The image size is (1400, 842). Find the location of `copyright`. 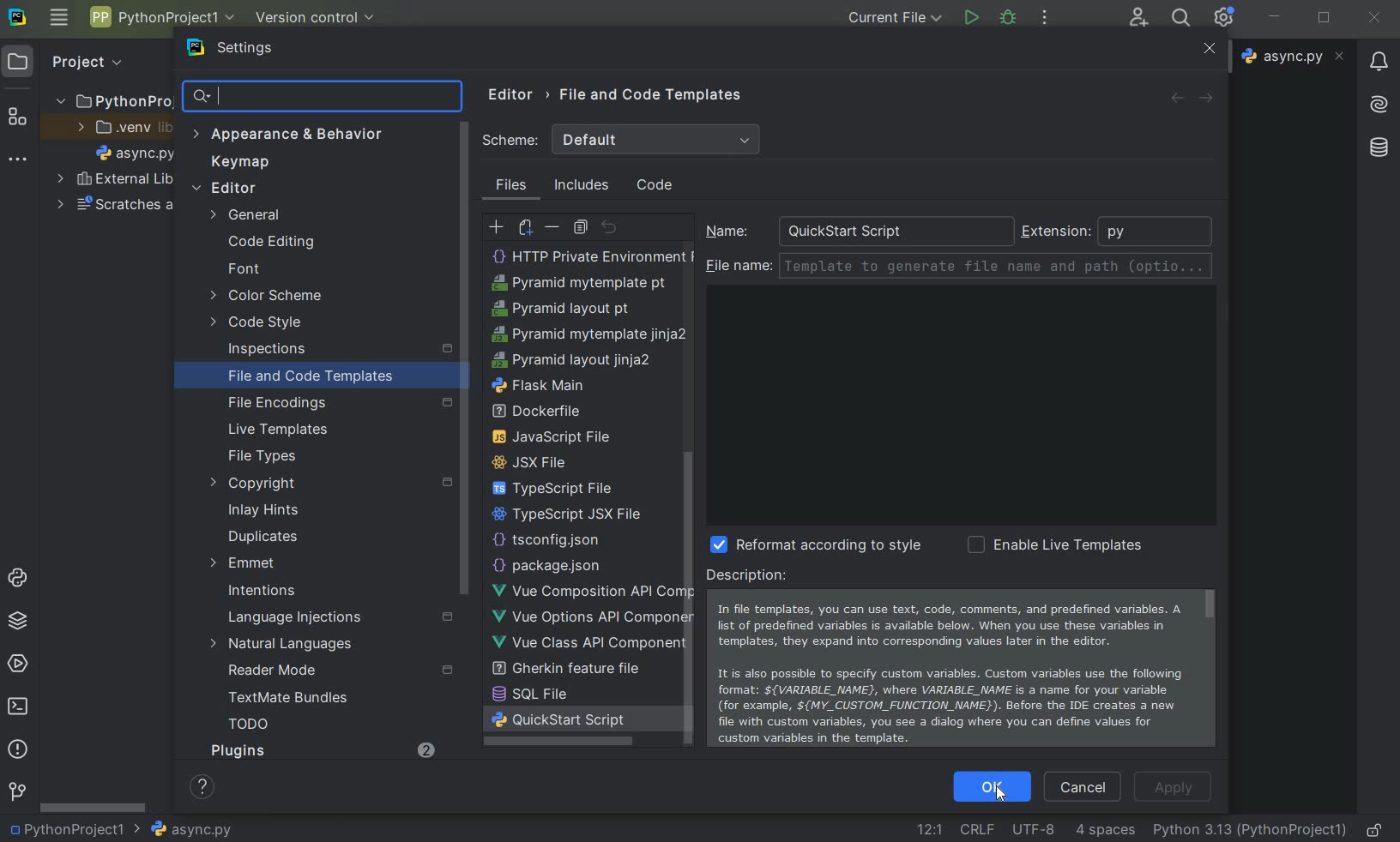

copyright is located at coordinates (327, 485).